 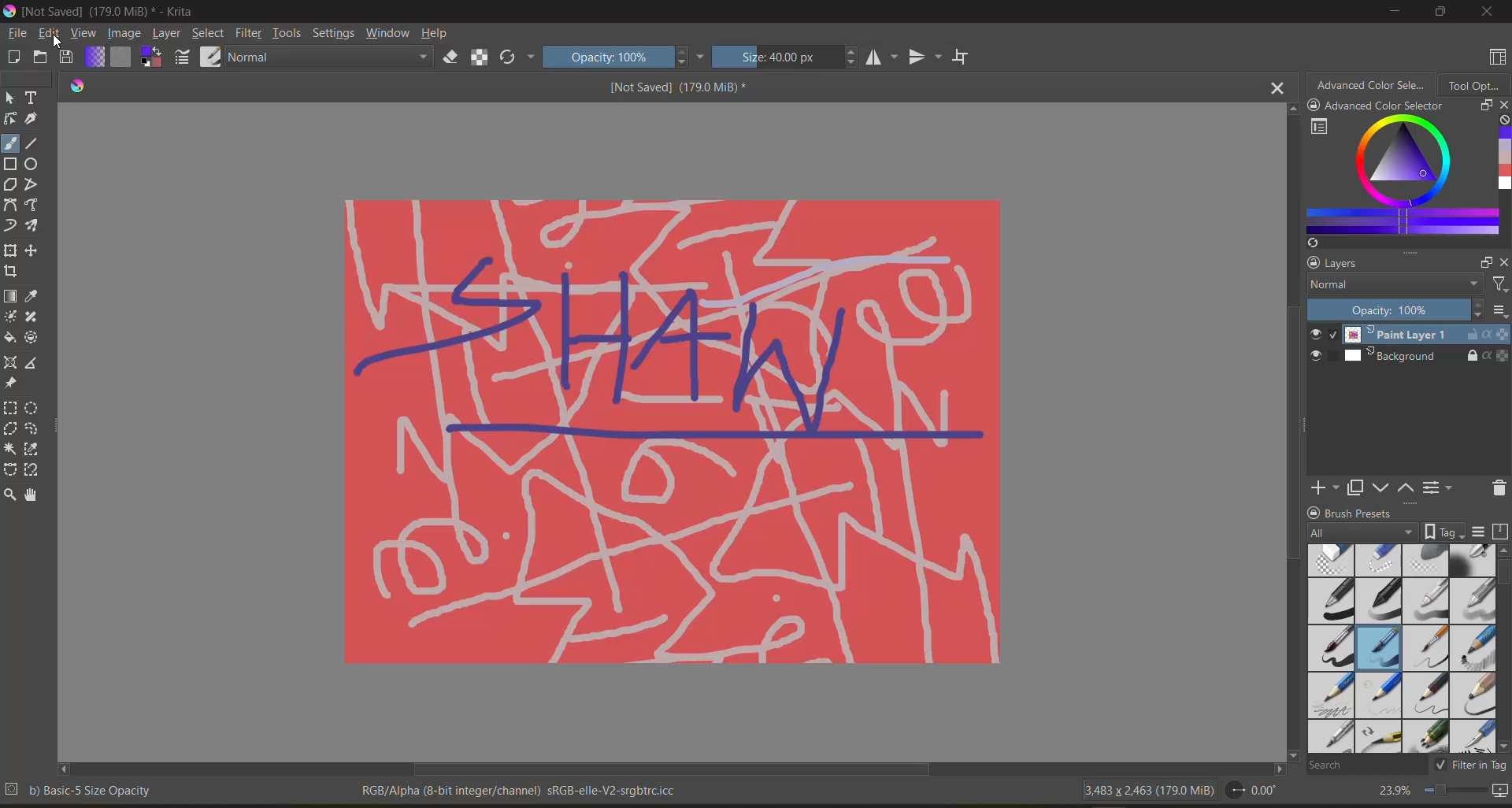 I want to click on edit brush settings, so click(x=183, y=57).